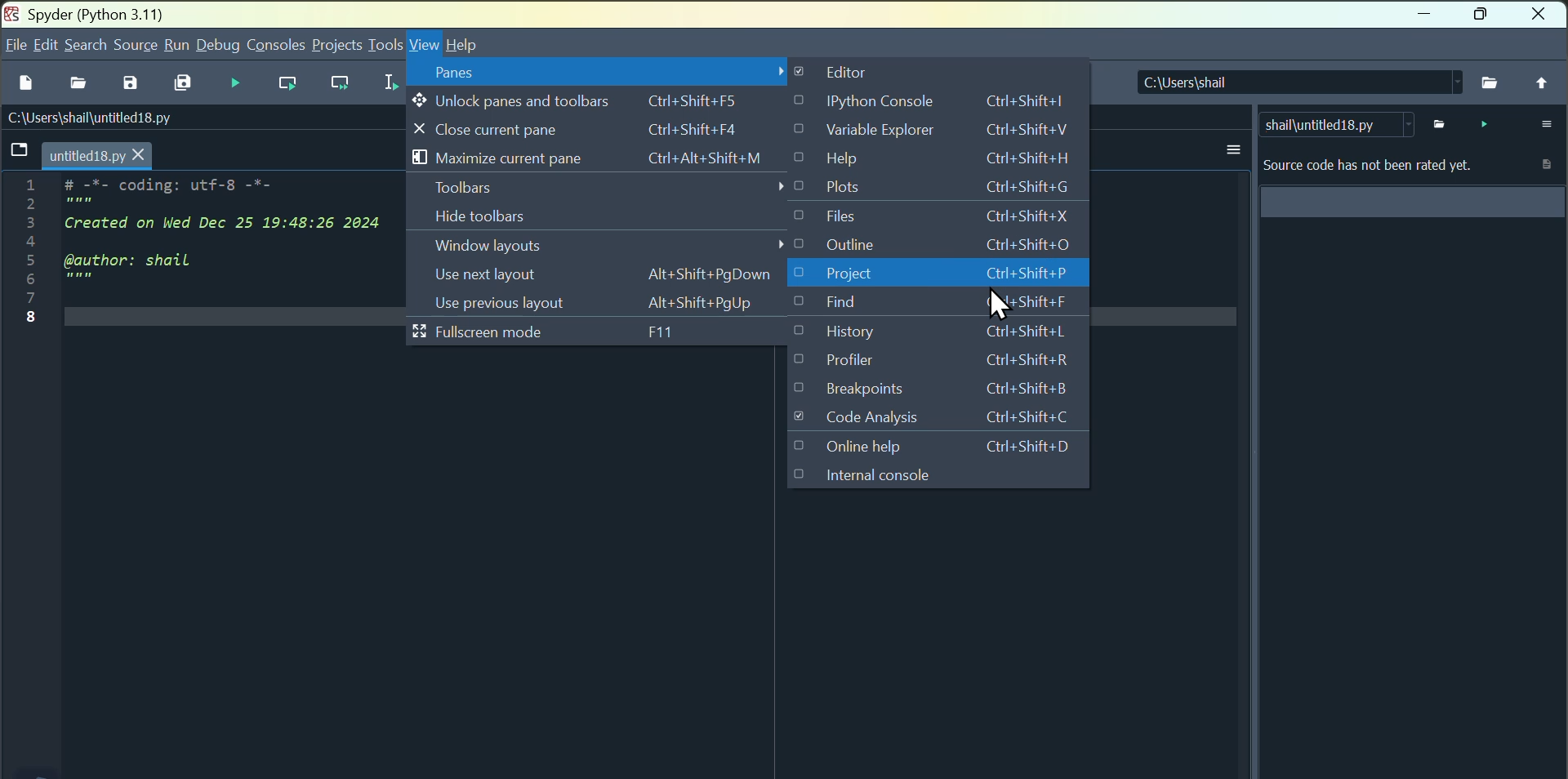 The height and width of the screenshot is (779, 1568). I want to click on Profiler, so click(942, 363).